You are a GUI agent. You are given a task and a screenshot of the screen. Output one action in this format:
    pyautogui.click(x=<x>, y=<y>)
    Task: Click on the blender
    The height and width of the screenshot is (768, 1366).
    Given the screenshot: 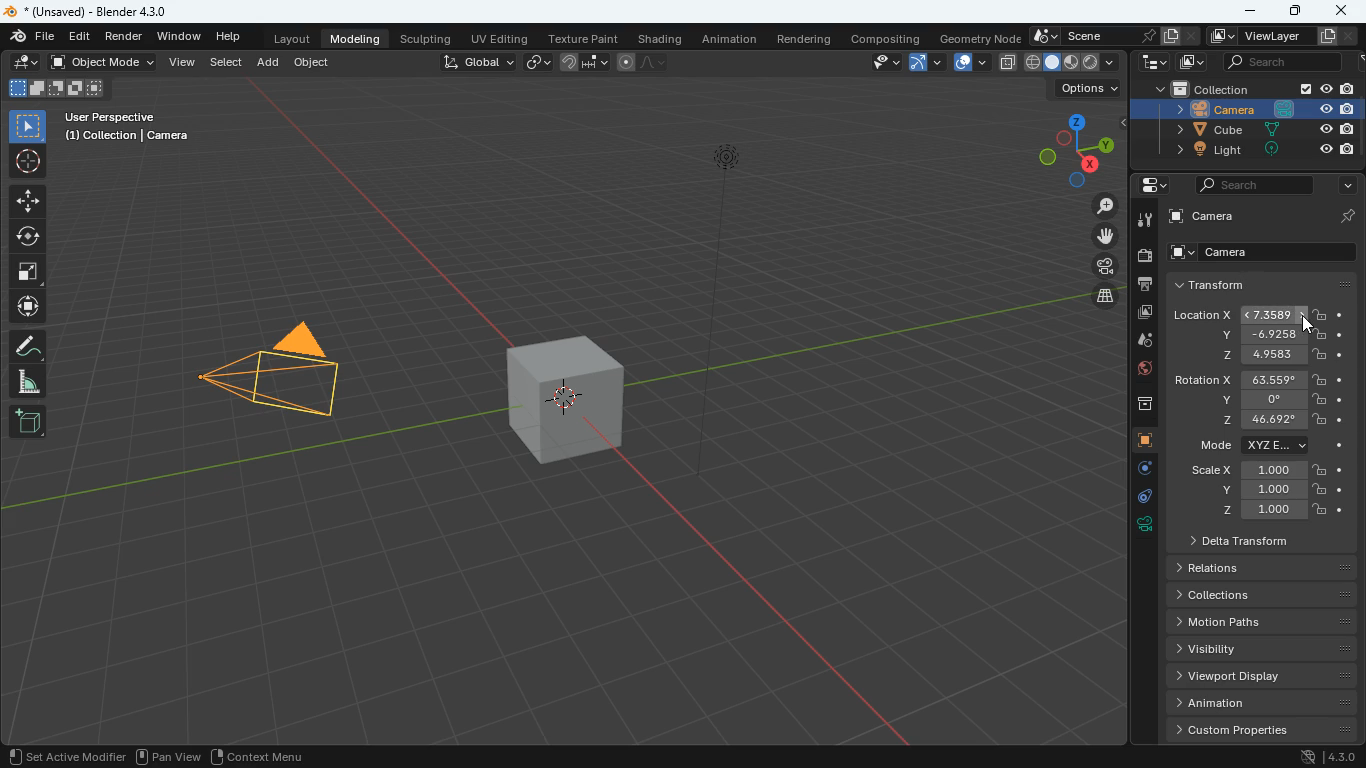 What is the action you would take?
    pyautogui.click(x=28, y=37)
    